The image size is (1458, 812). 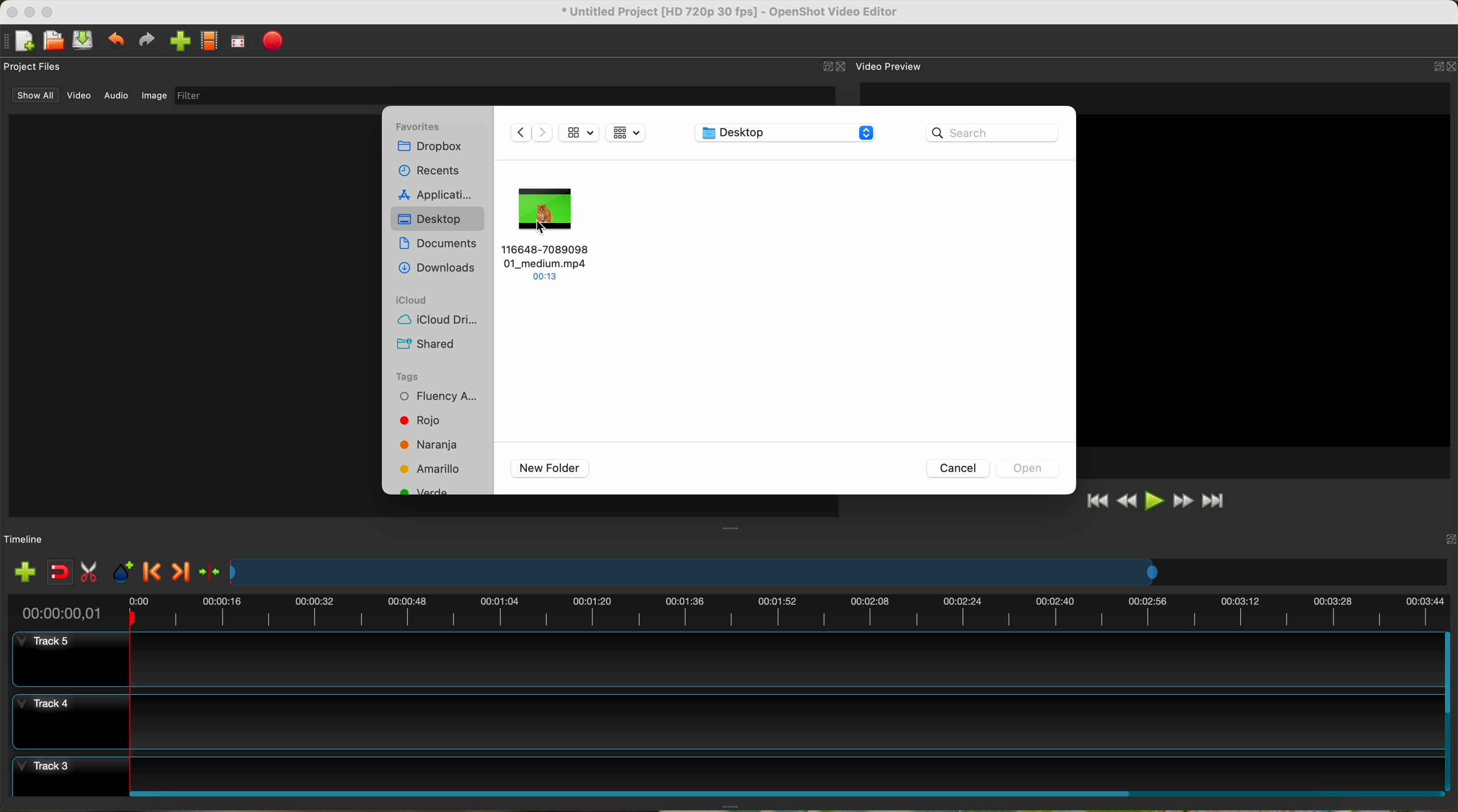 I want to click on favorites, so click(x=419, y=126).